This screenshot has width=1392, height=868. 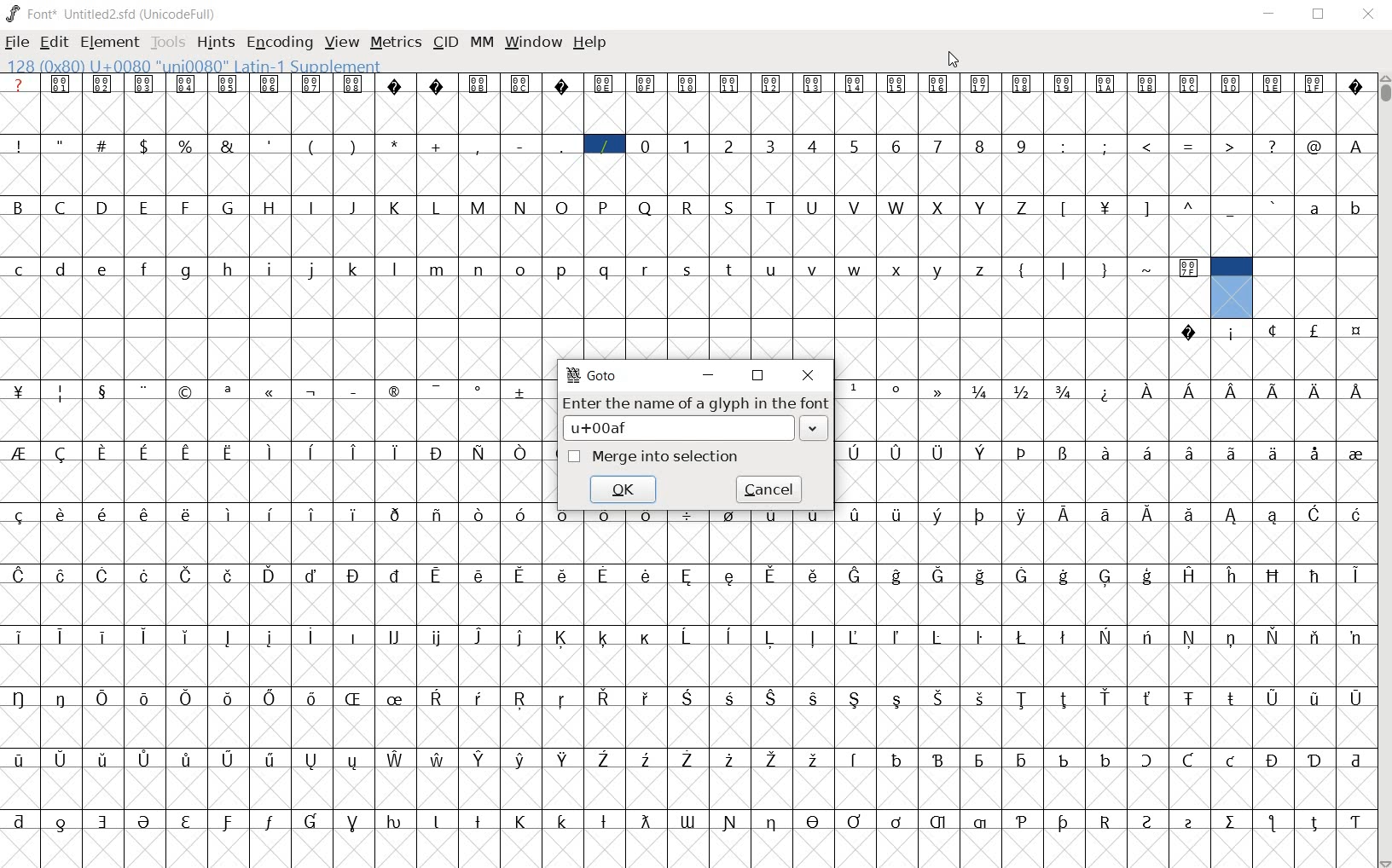 I want to click on Symbol, so click(x=20, y=698).